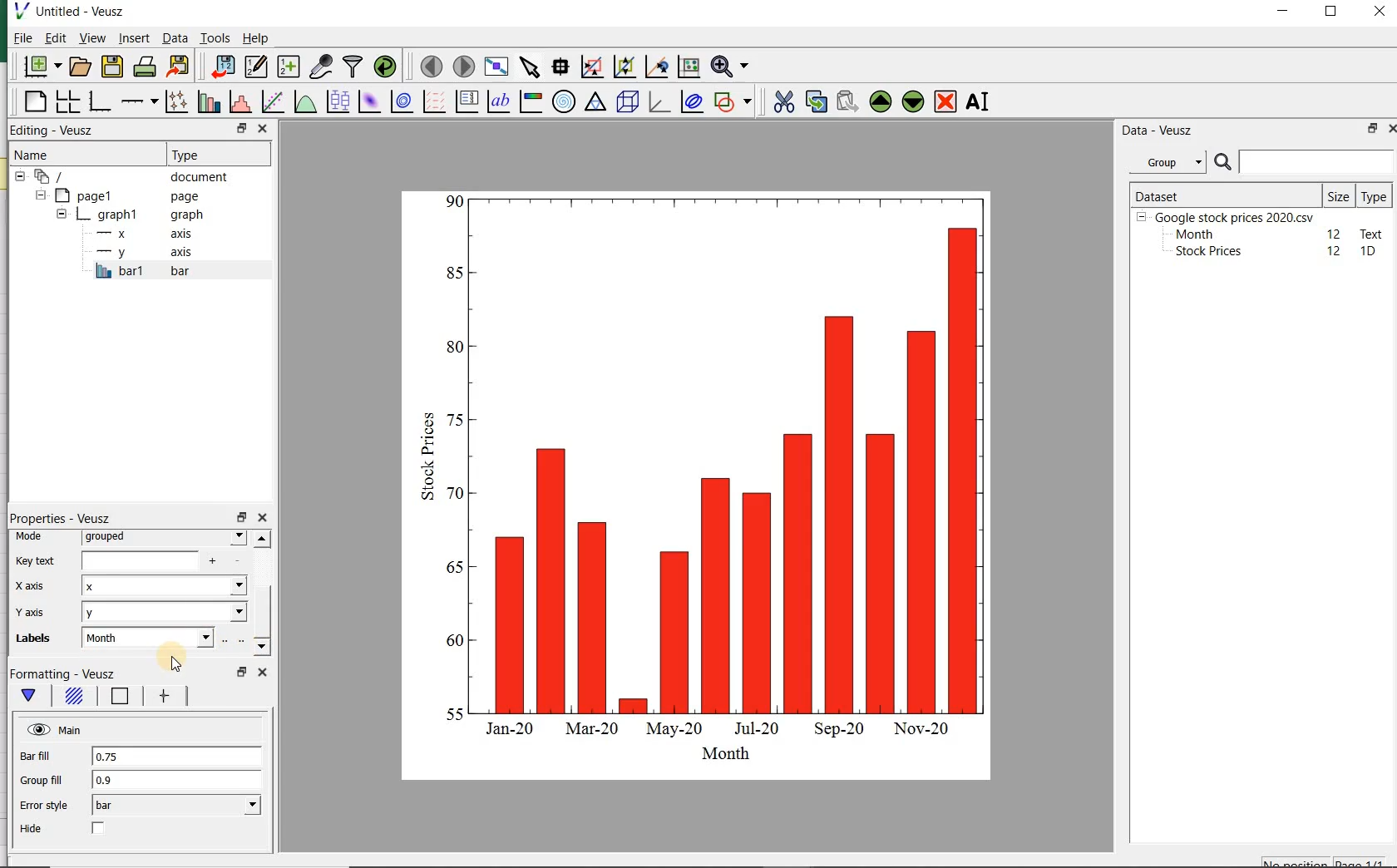 This screenshot has height=868, width=1397. I want to click on y-axis, so click(141, 253).